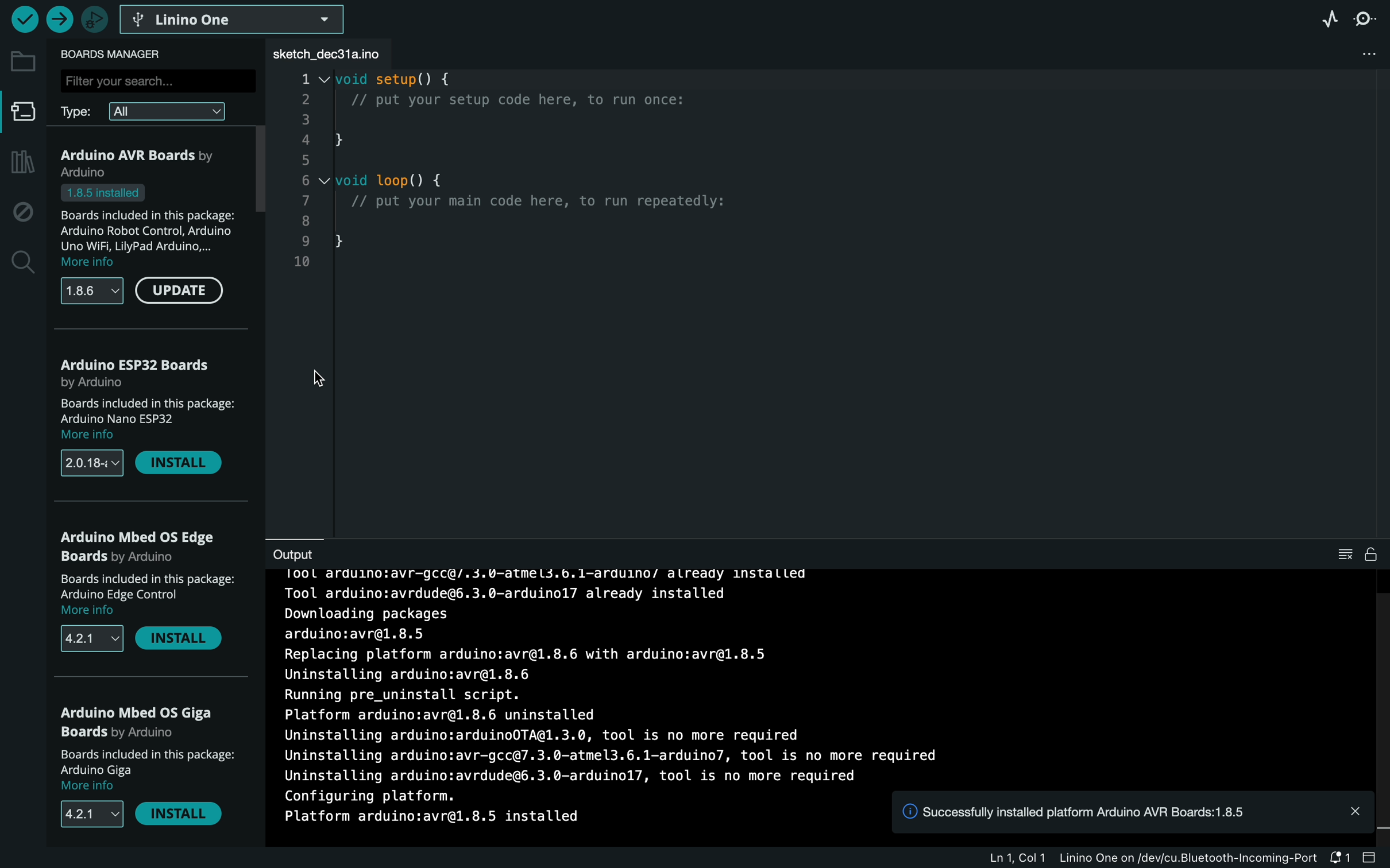  Describe the element at coordinates (428, 819) in the screenshot. I see `Text` at that location.